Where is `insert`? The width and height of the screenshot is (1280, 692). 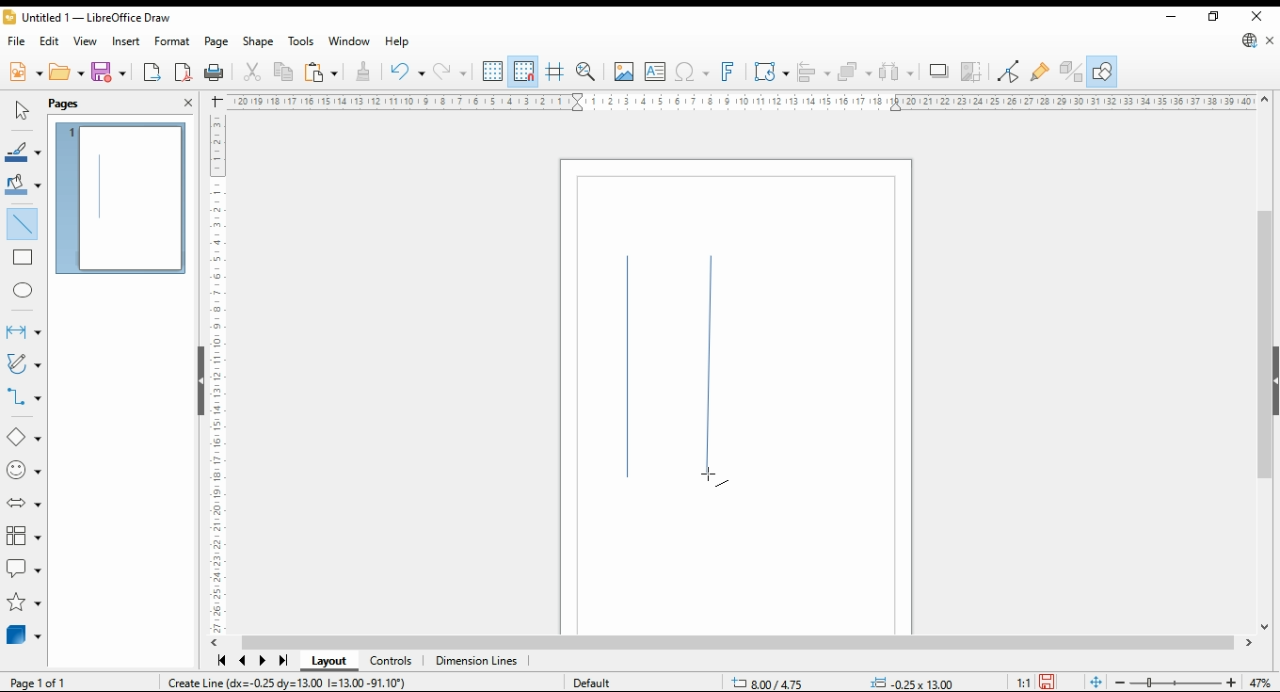
insert is located at coordinates (127, 41).